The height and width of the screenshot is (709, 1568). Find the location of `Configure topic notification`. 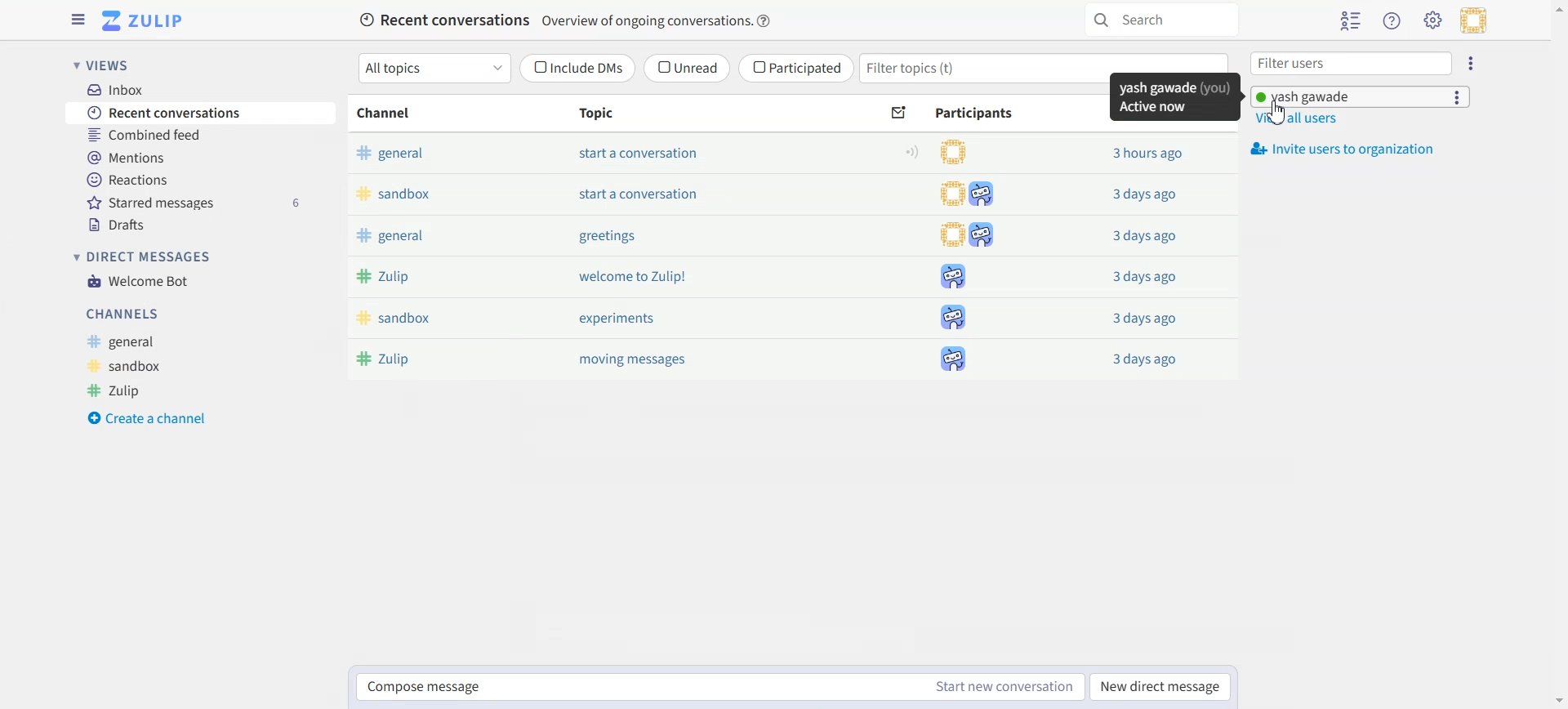

Configure topic notification is located at coordinates (913, 154).